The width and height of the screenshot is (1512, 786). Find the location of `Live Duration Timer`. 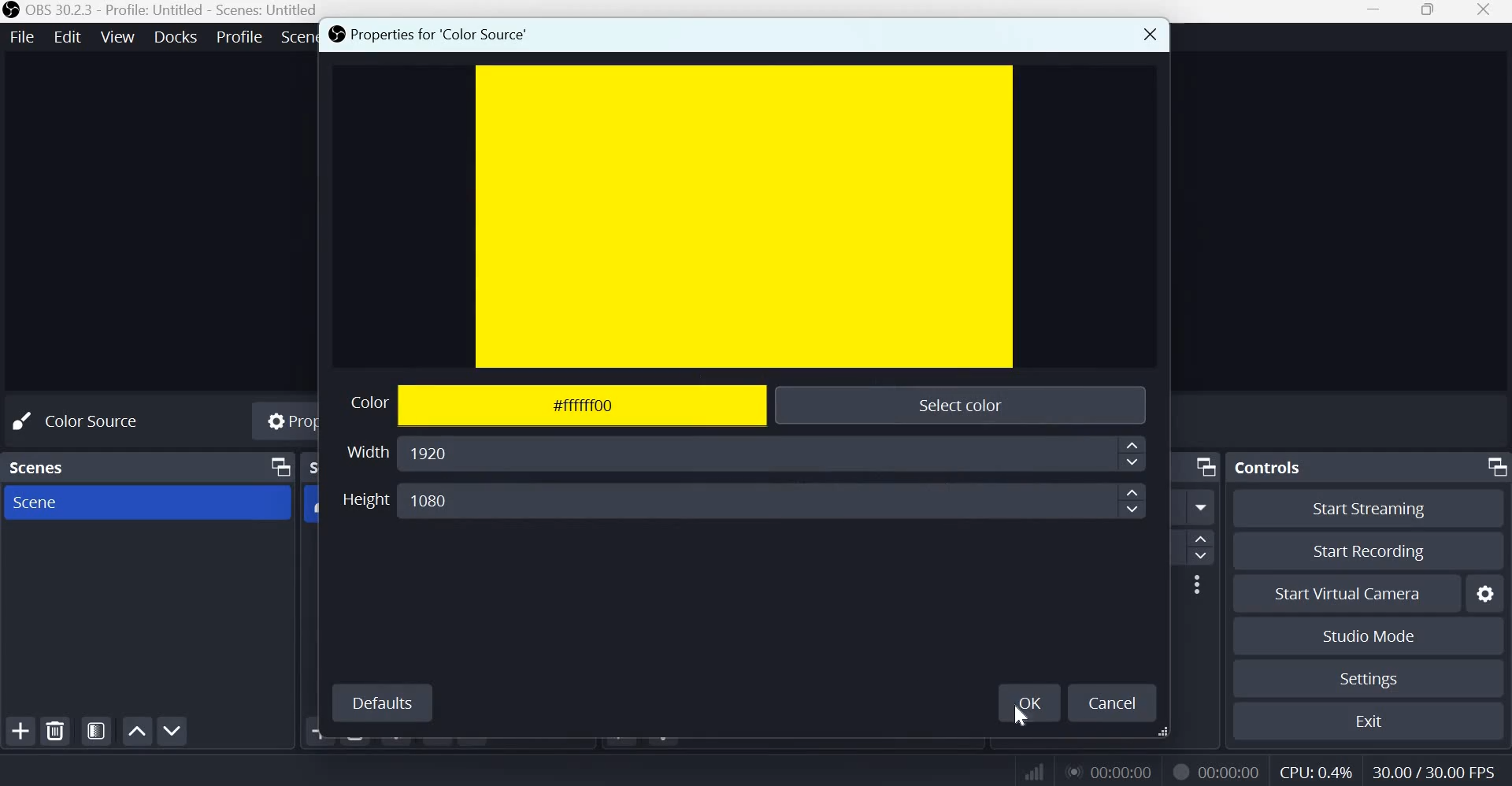

Live Duration Timer is located at coordinates (1180, 770).